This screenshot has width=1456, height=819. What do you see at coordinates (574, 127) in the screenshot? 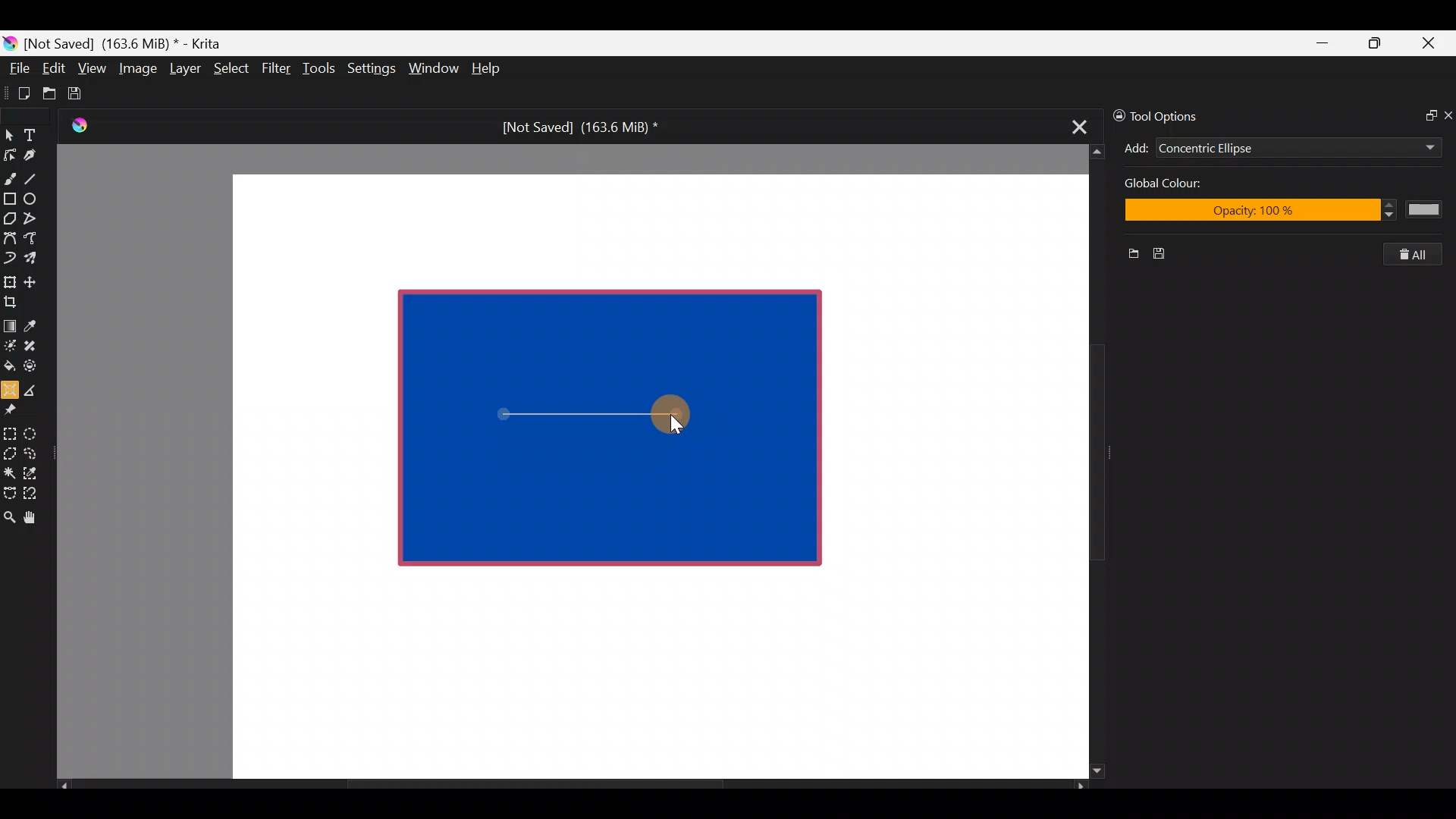
I see `[Not Saved] (163.6 MiB) *` at bounding box center [574, 127].